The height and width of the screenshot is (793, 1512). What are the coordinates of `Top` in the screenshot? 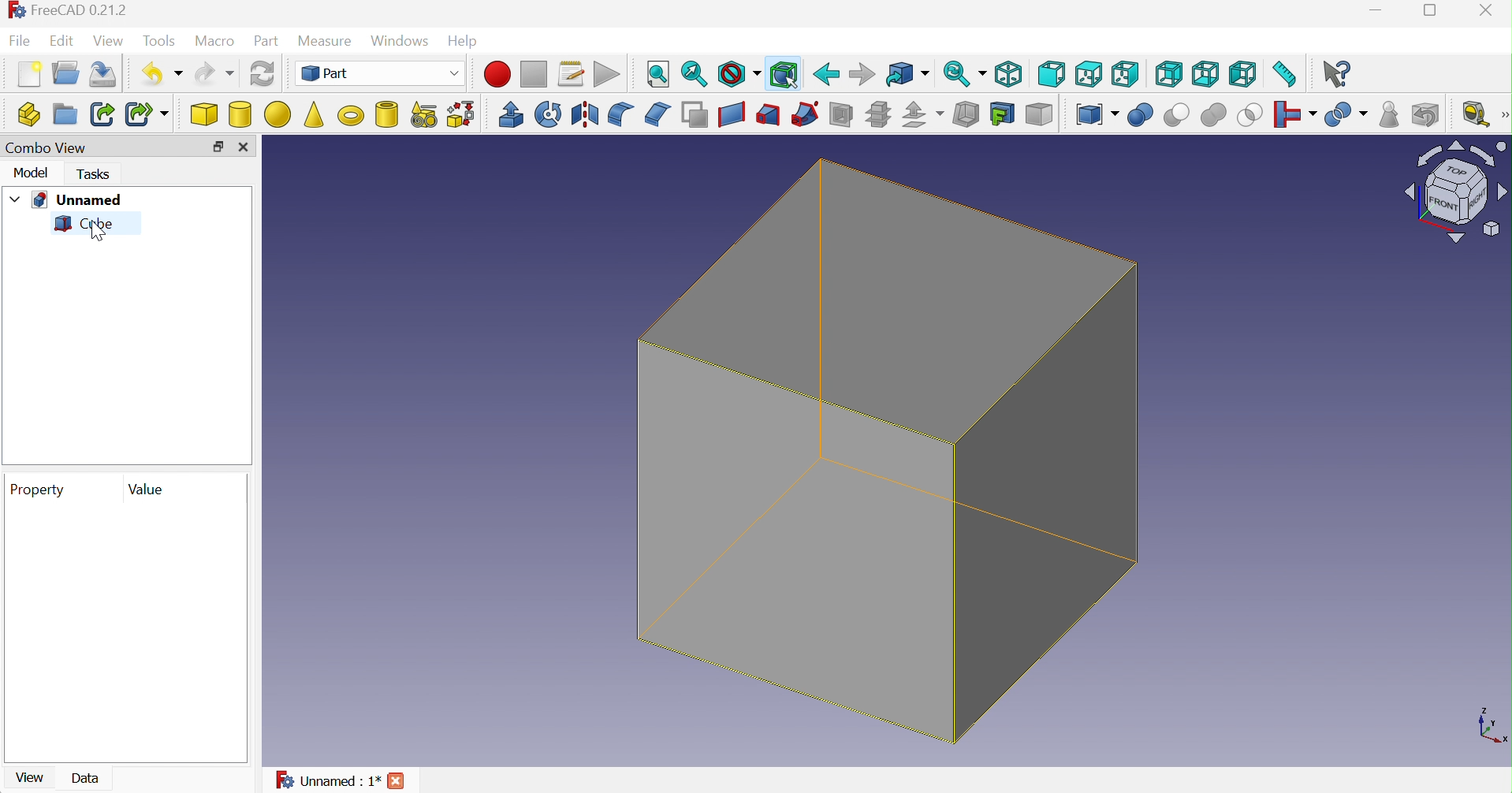 It's located at (1089, 76).